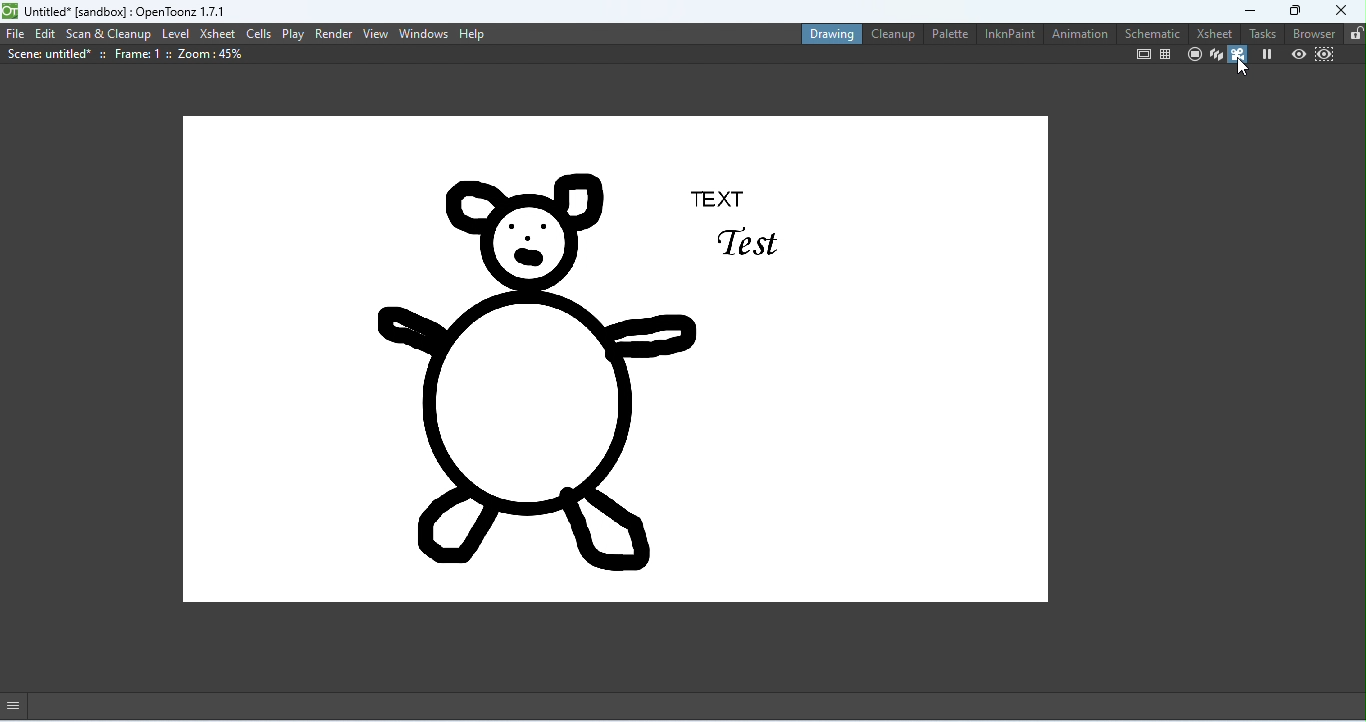 This screenshot has width=1366, height=722. I want to click on scene details, so click(125, 55).